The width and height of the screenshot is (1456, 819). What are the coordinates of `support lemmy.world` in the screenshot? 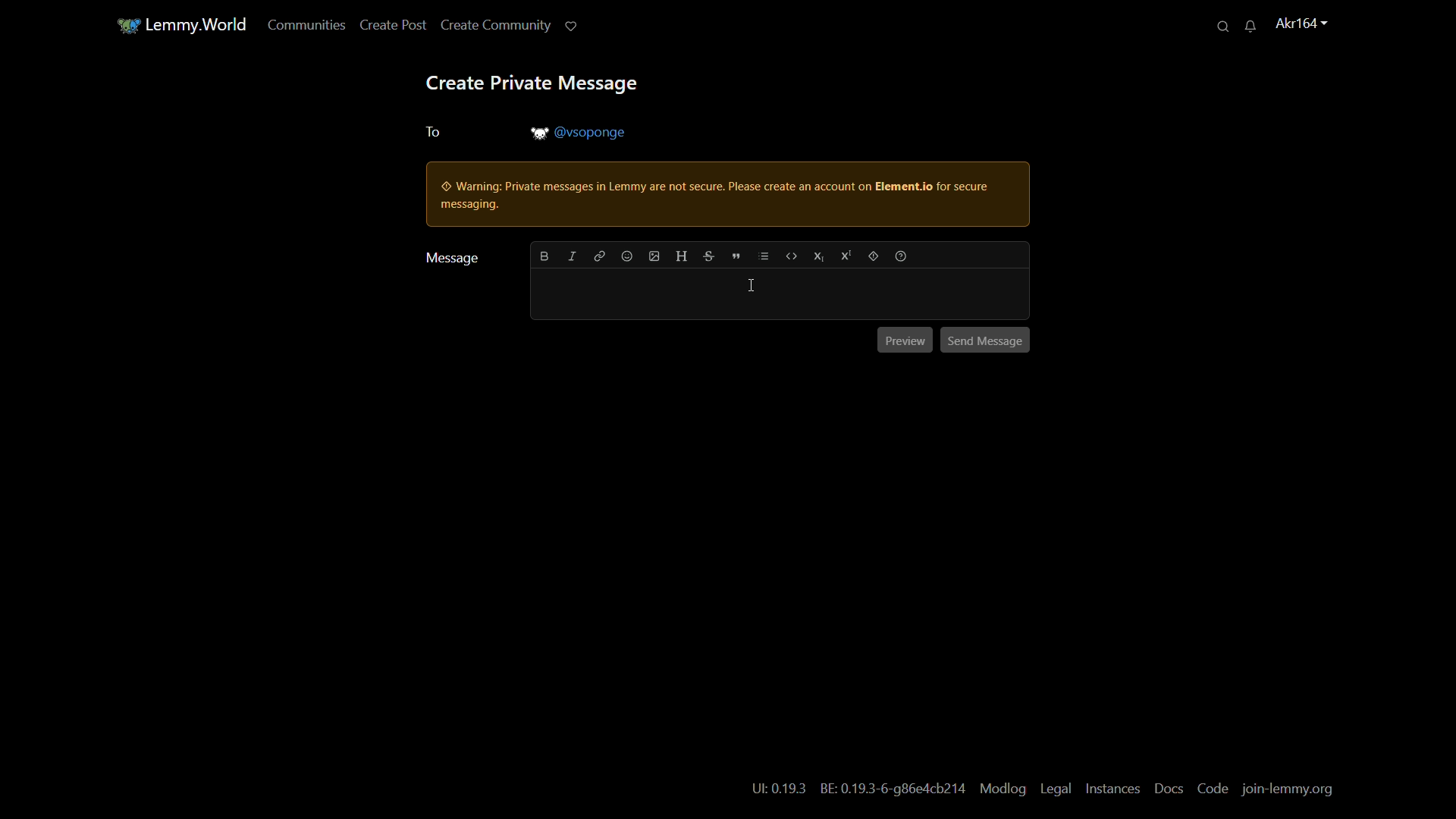 It's located at (563, 27).